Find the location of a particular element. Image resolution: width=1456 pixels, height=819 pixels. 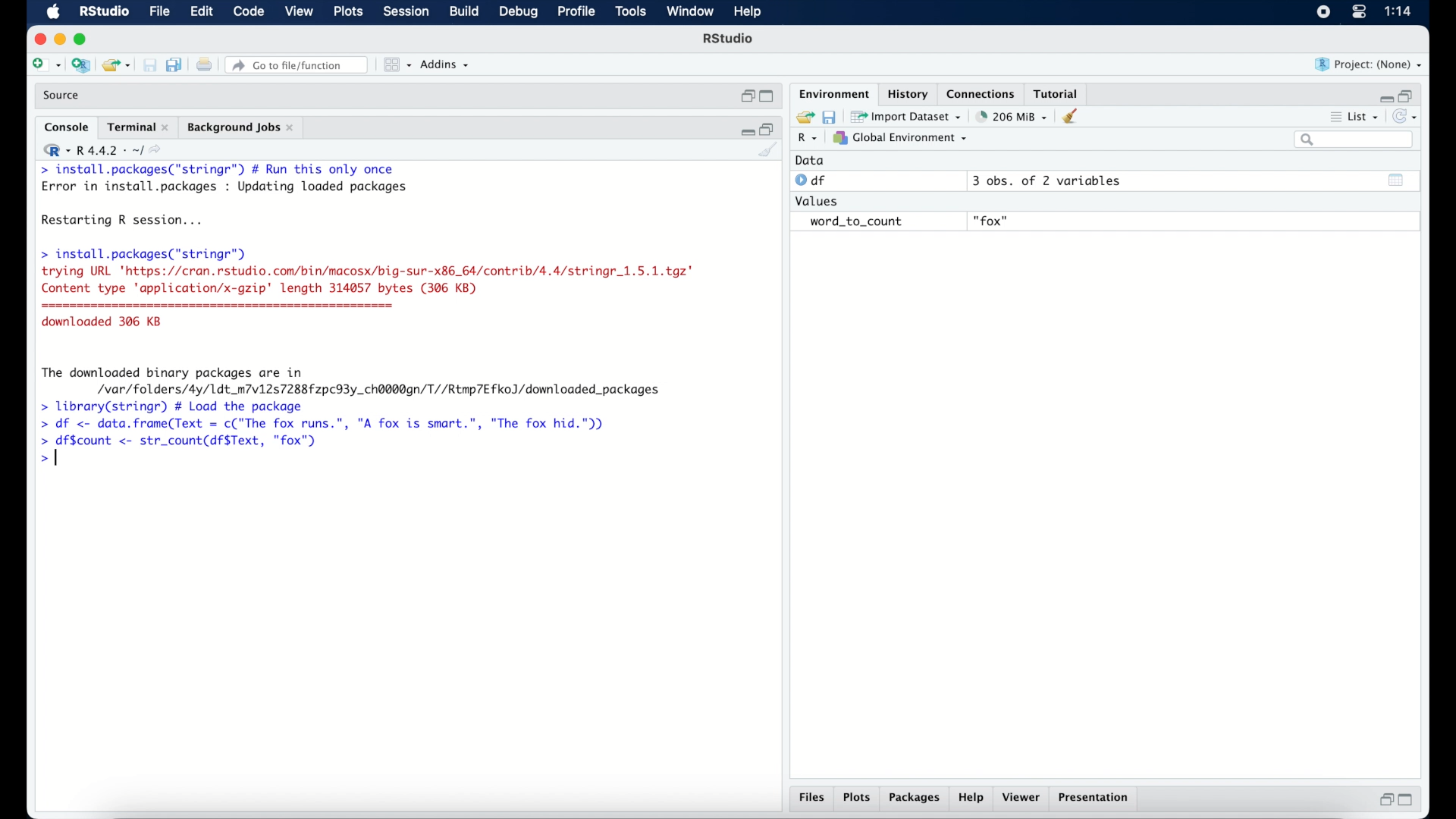

plots is located at coordinates (350, 12).